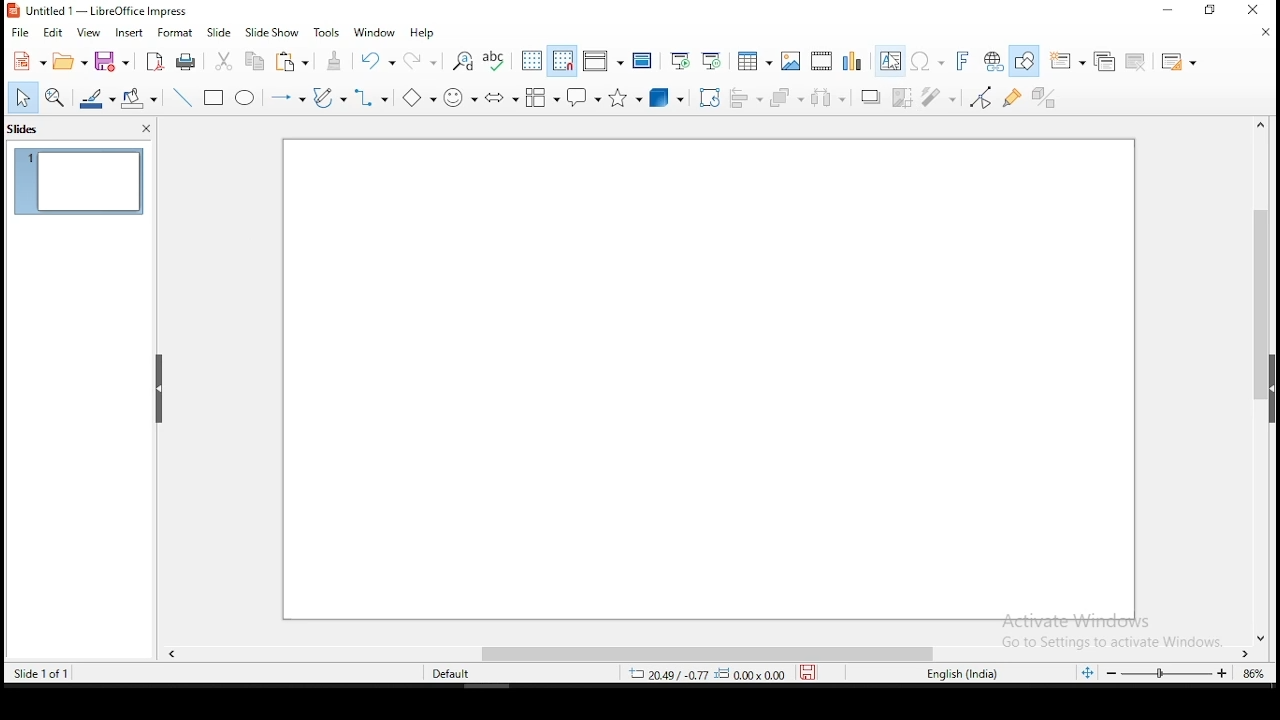 This screenshot has width=1280, height=720. Describe the element at coordinates (104, 12) in the screenshot. I see `icon and filename` at that location.